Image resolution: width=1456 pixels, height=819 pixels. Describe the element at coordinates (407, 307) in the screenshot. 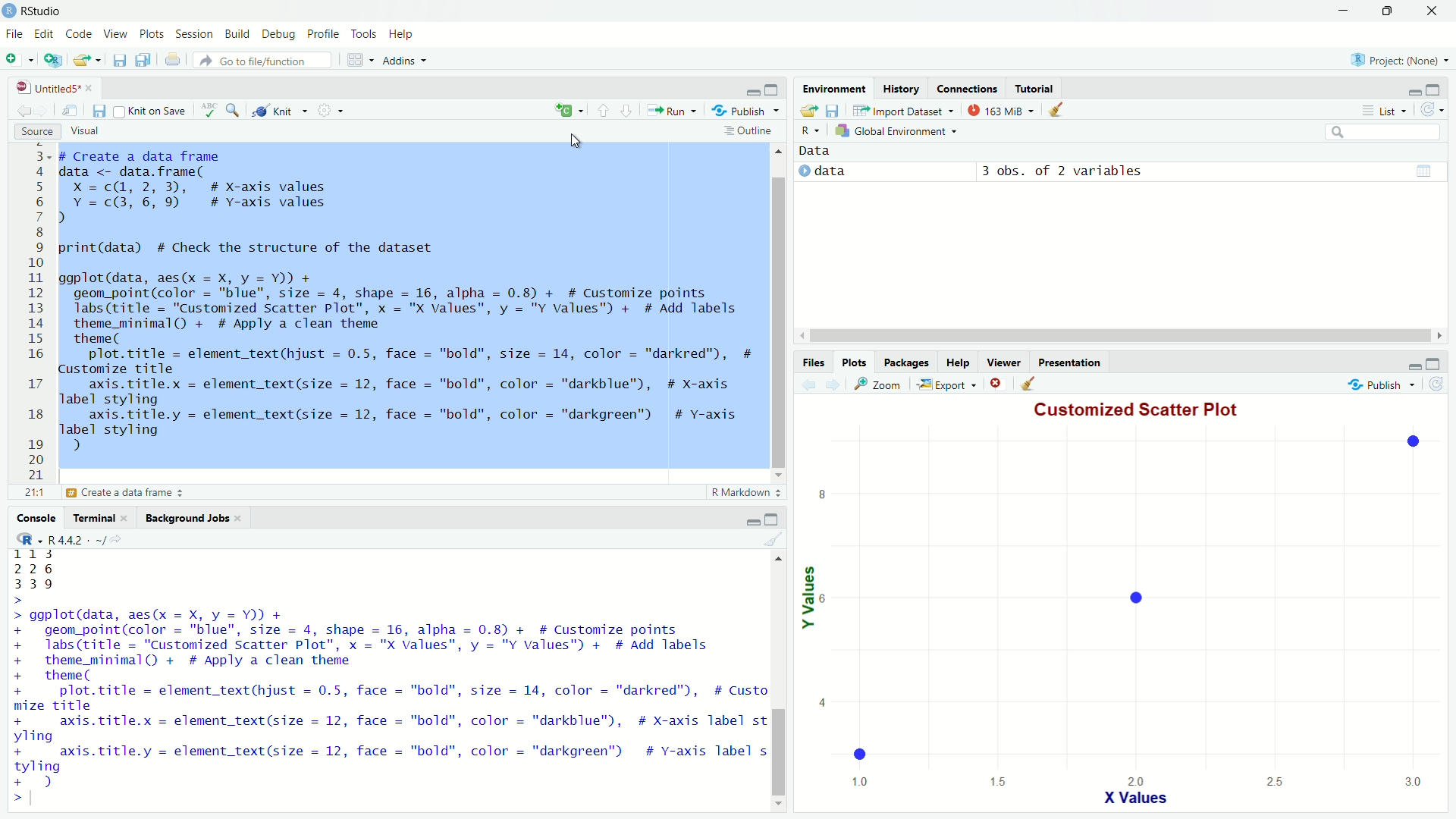

I see `# Create a data frame
data <- data.frame(
X =c@, 2, 3), # X-axis values
Y =c@, 6, 9) # Y-axis values
d
print(data) # Check the structure of the dataset 1
ggplot(data, aes(x = X, y = Y)) +
geom_point(color = "blue", size = 4, shape = 16, alpha = 0.8) + # Customize points
labs (title = "Customized Scatter Plot", x = "X values", y = "Y values") + # Add labels
theme_minimal() + # Apply a clean theme
theme (
plot.title = element_text(hjust = 0.5, face = "bold", size = 14, color = "darkred"), #
Customize title
axis.title.x = element_text(size = 12, face = "bold", color = "darkblue"), # X-axis
label styling
axis.title.y = element_text(size = 12, face = "bold", color = "darkgreen") # Y-axis
label styling
d` at that location.